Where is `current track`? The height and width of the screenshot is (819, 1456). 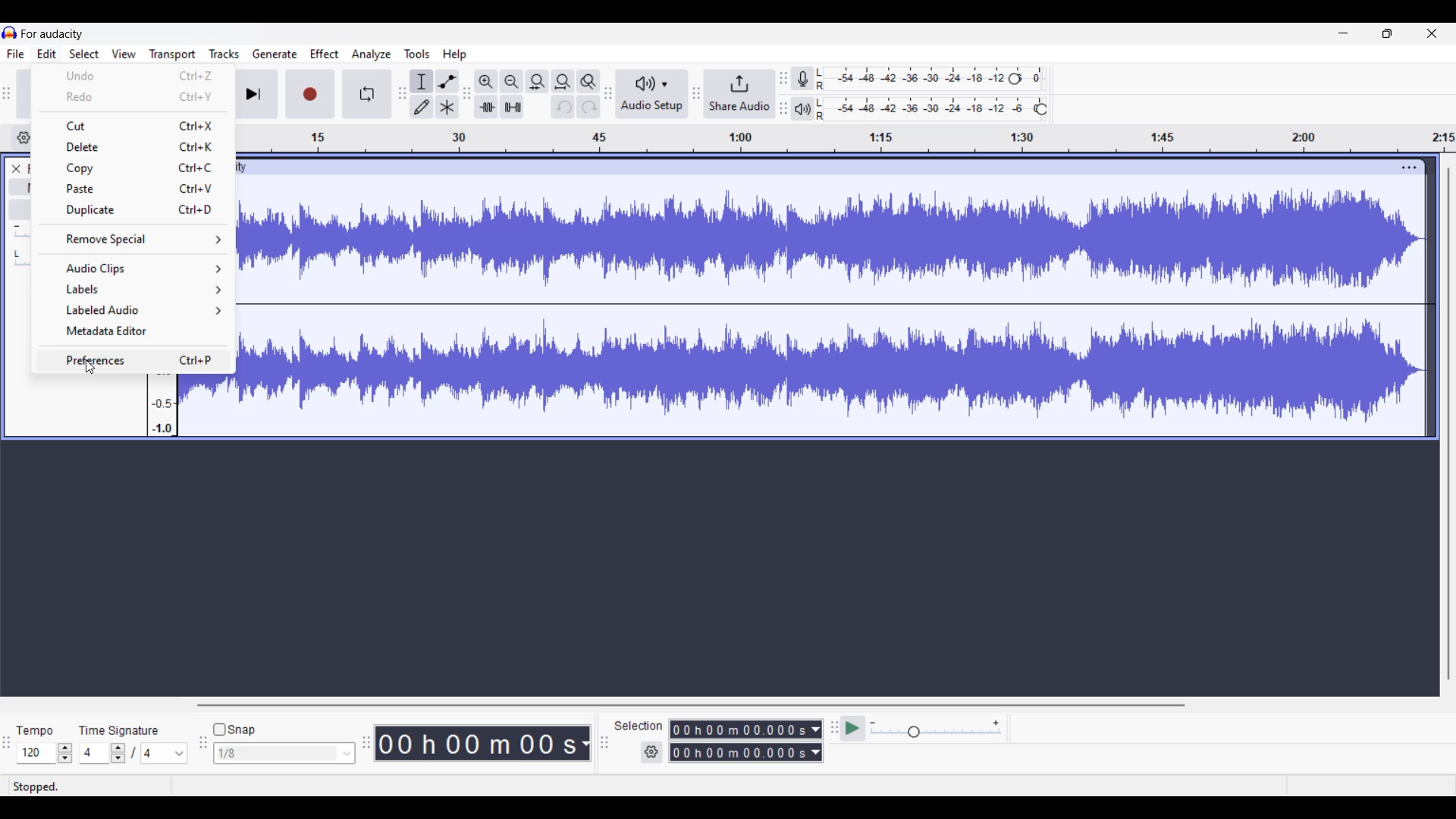 current track is located at coordinates (207, 403).